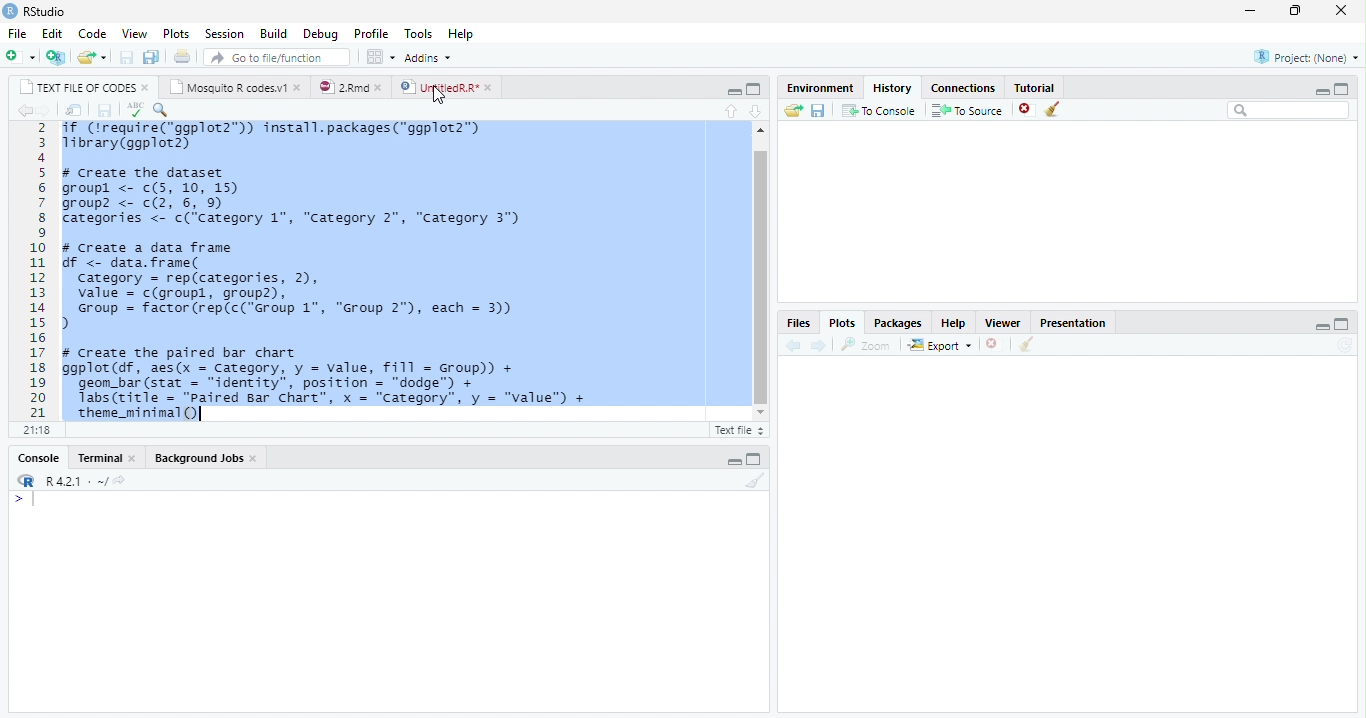  I want to click on 2 3 4 5 6 7 8 9 10 11 12 13 14 15 16 17 18 19 20 21, so click(39, 270).